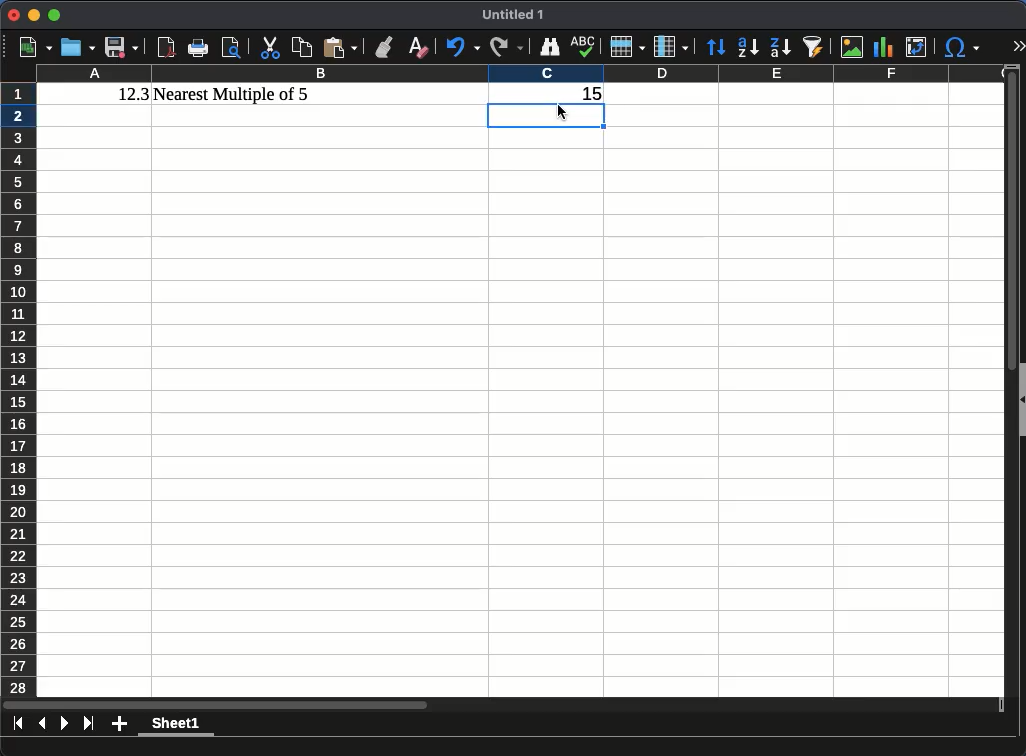 This screenshot has height=756, width=1026. Describe the element at coordinates (812, 46) in the screenshot. I see `autofilter` at that location.